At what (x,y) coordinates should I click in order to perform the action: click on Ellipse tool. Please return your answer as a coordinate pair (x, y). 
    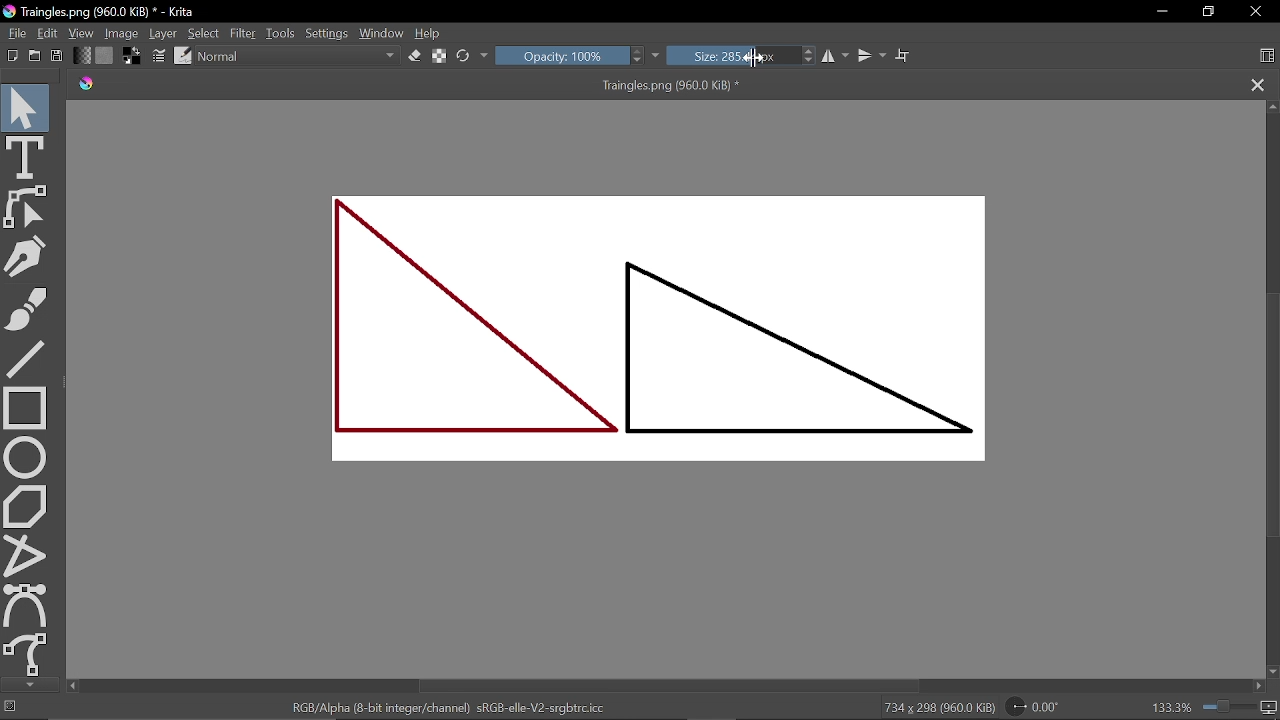
    Looking at the image, I should click on (26, 457).